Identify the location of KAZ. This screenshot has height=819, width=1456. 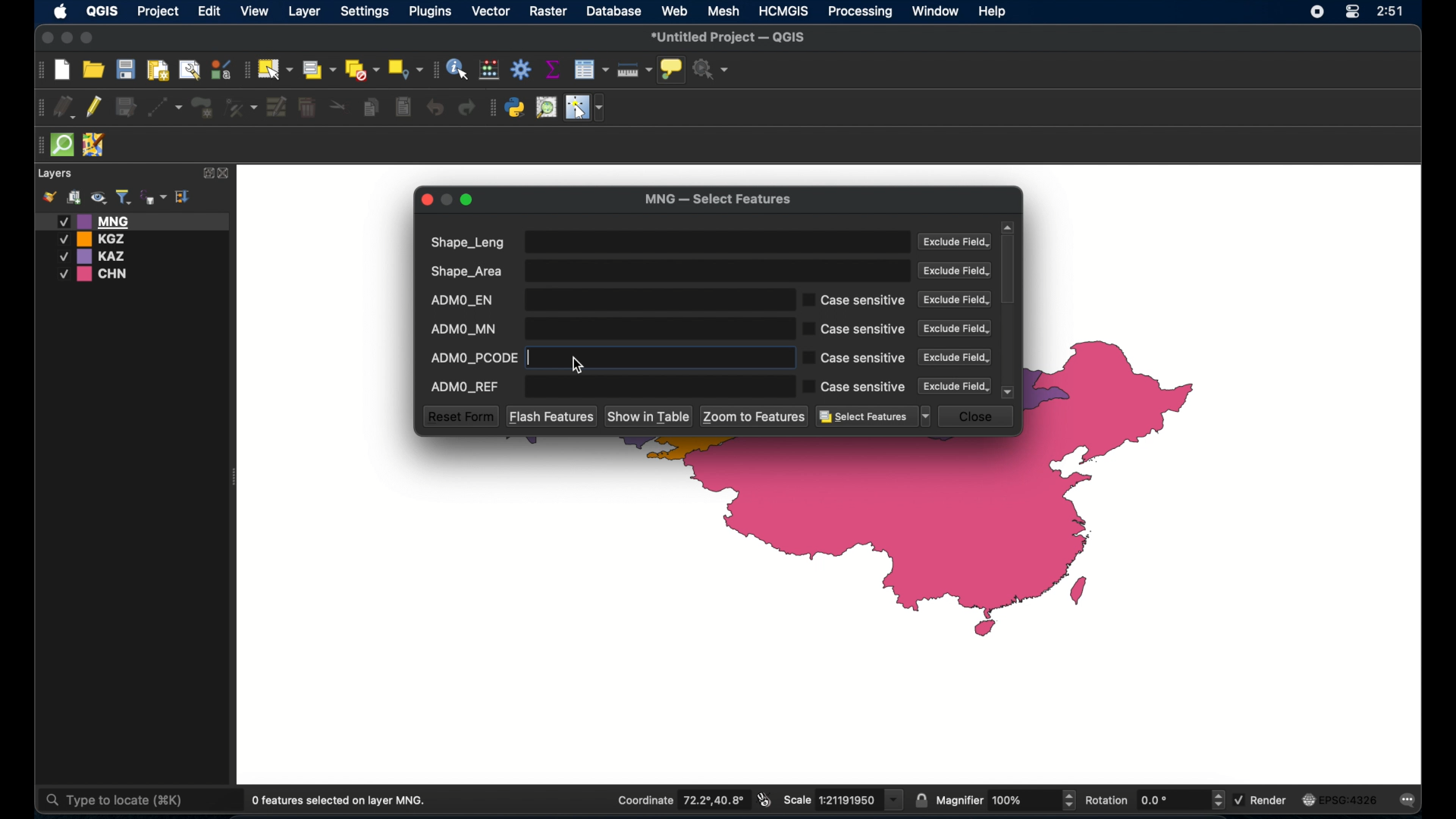
(102, 256).